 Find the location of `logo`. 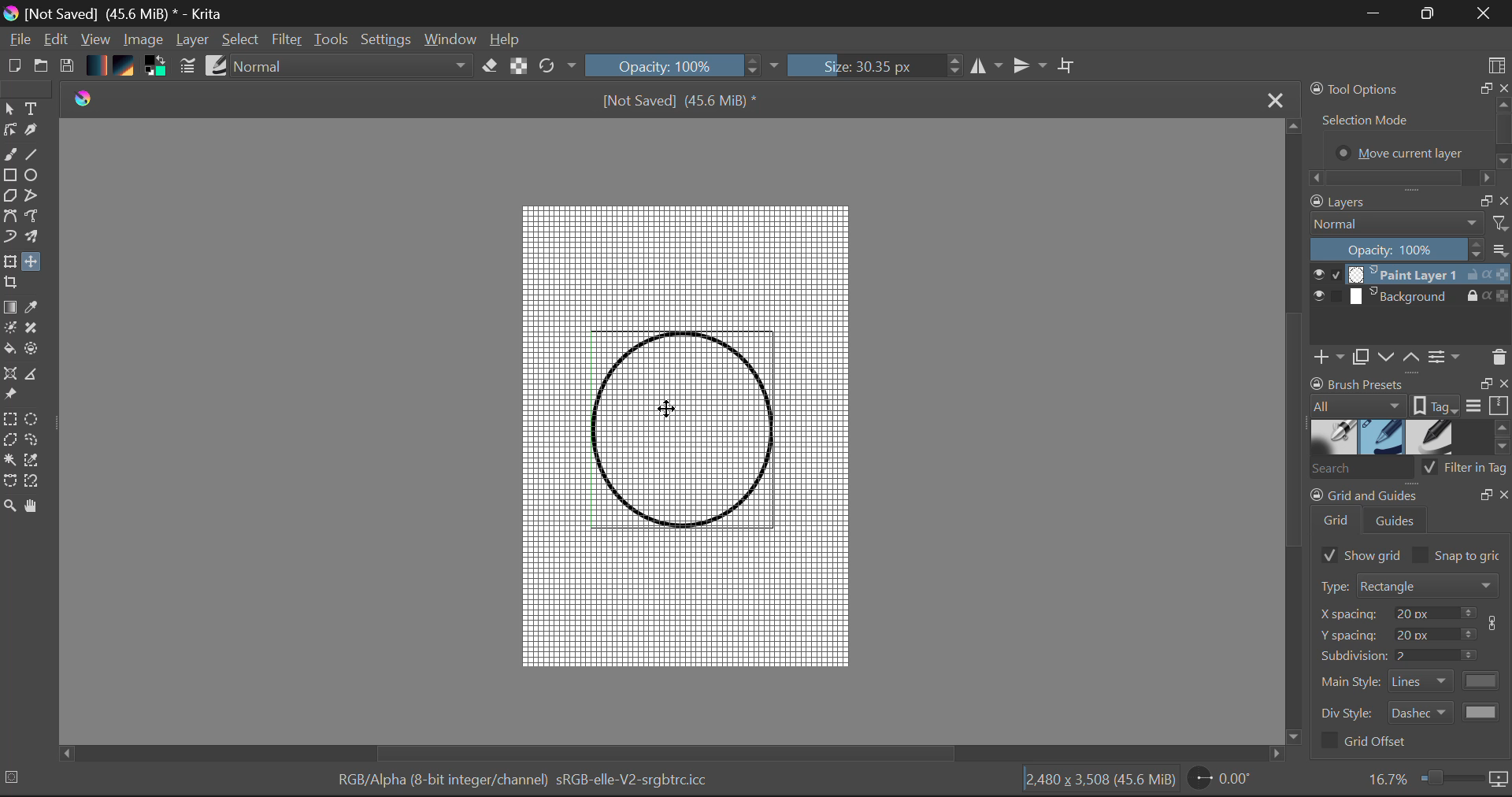

logo is located at coordinates (86, 97).